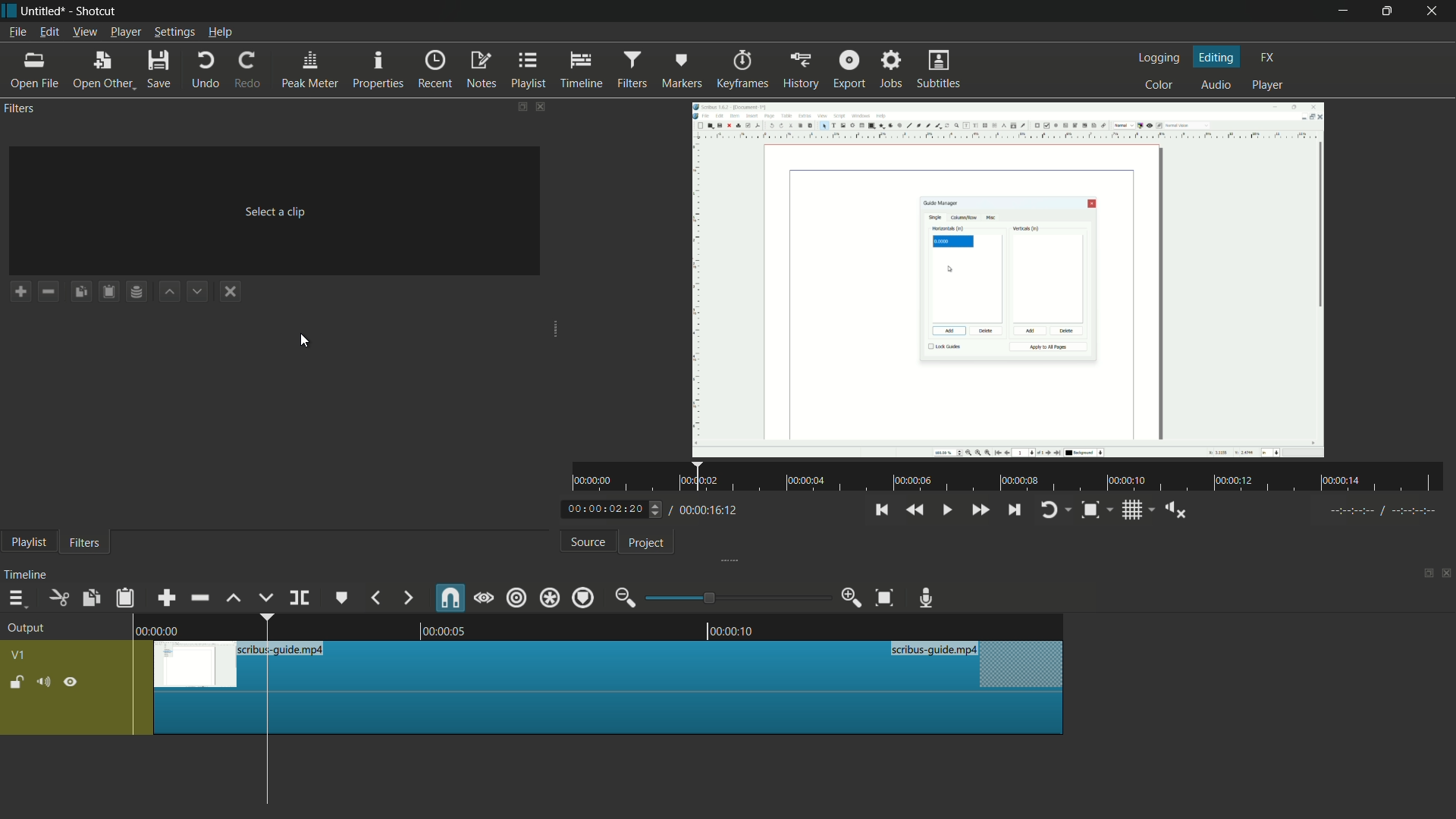  I want to click on changes applied, so click(1009, 279).